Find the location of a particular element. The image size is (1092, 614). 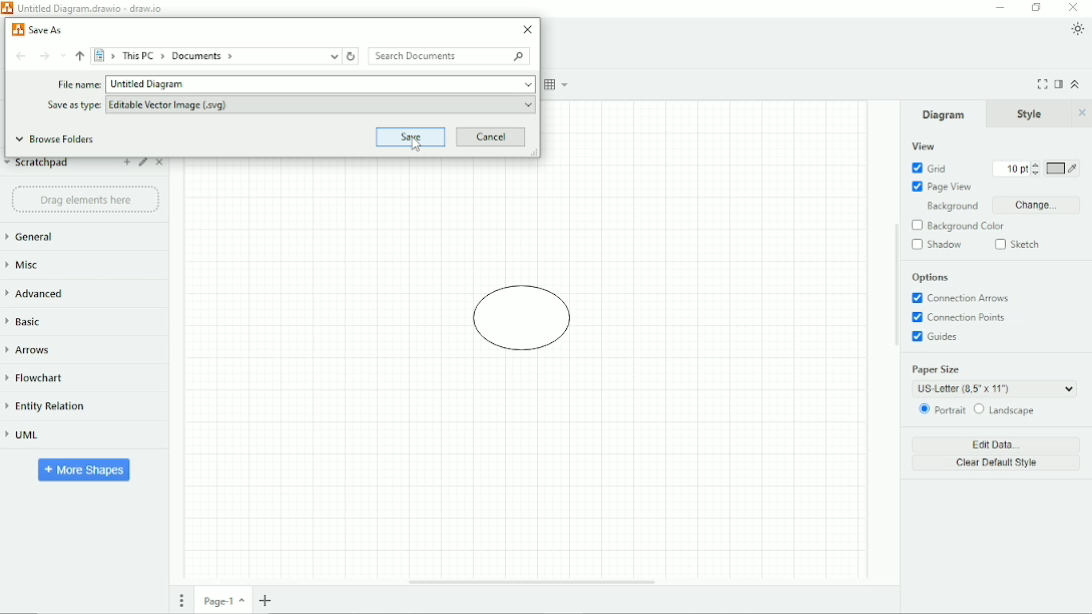

Recent Locations is located at coordinates (63, 56).